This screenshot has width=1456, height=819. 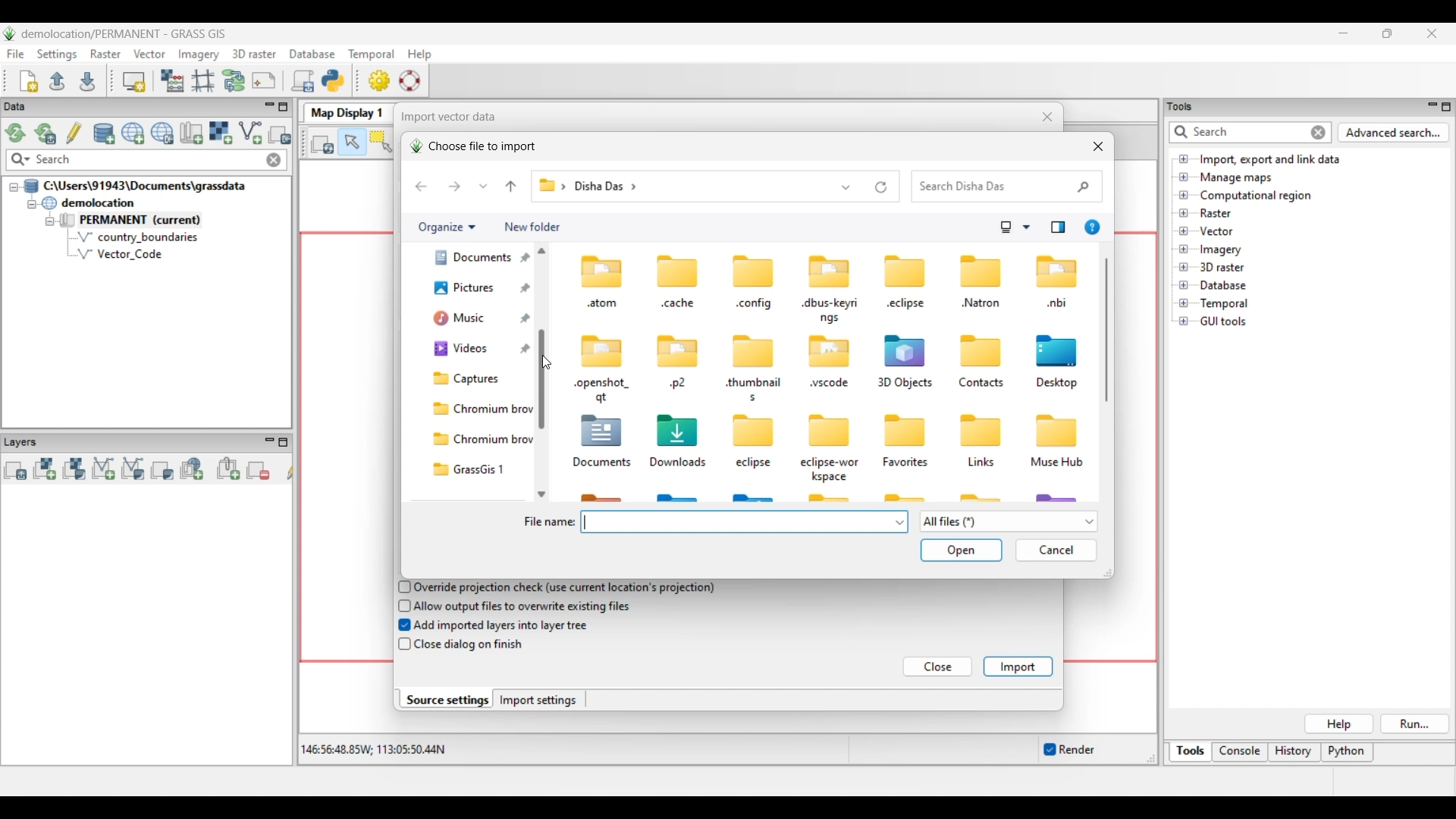 What do you see at coordinates (680, 463) in the screenshot?
I see `Downloads` at bounding box center [680, 463].